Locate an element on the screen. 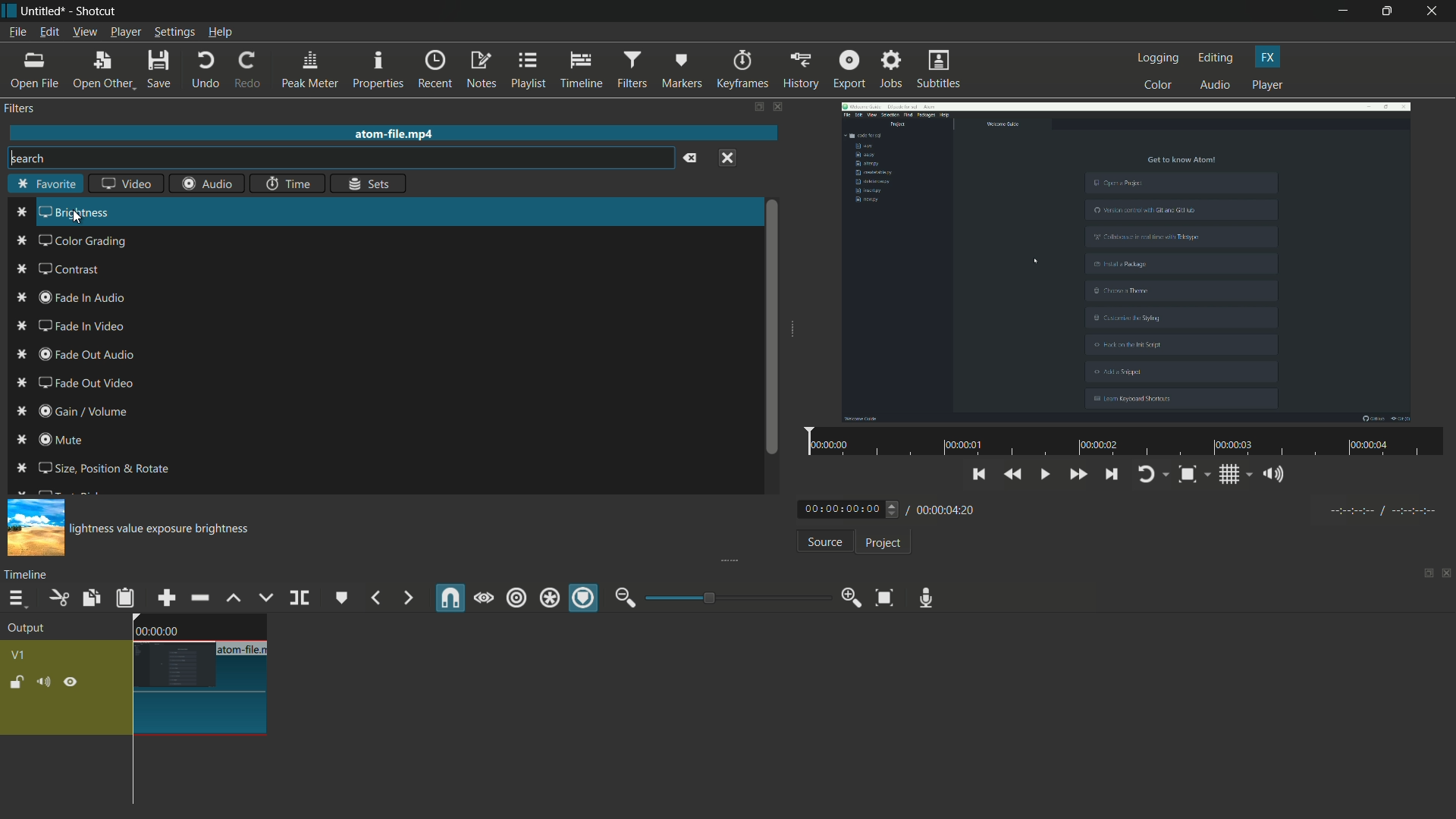 This screenshot has height=819, width=1456. subtitles is located at coordinates (940, 71).